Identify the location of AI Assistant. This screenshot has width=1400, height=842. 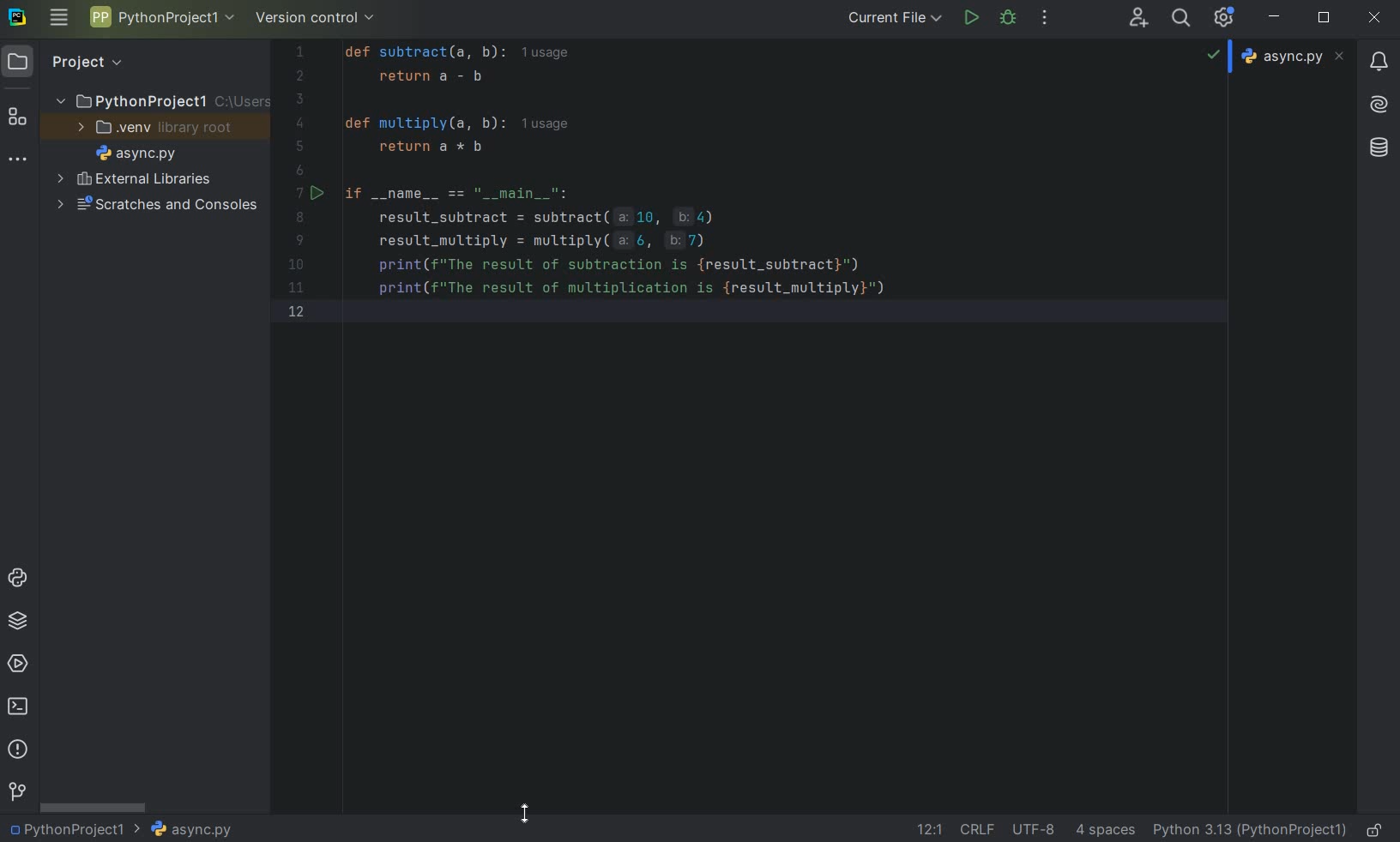
(1379, 105).